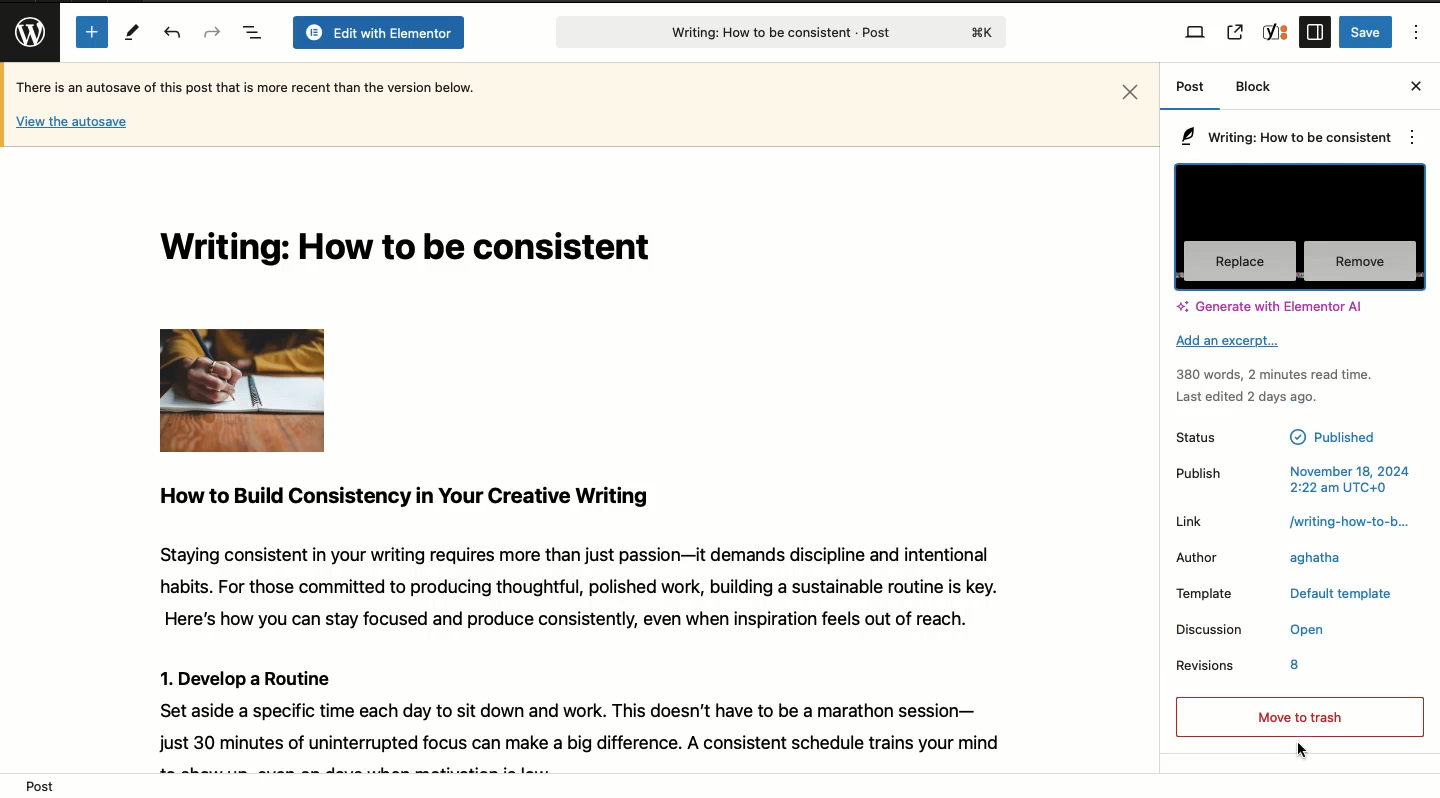 The width and height of the screenshot is (1440, 798). I want to click on Sidebar, so click(1315, 32).